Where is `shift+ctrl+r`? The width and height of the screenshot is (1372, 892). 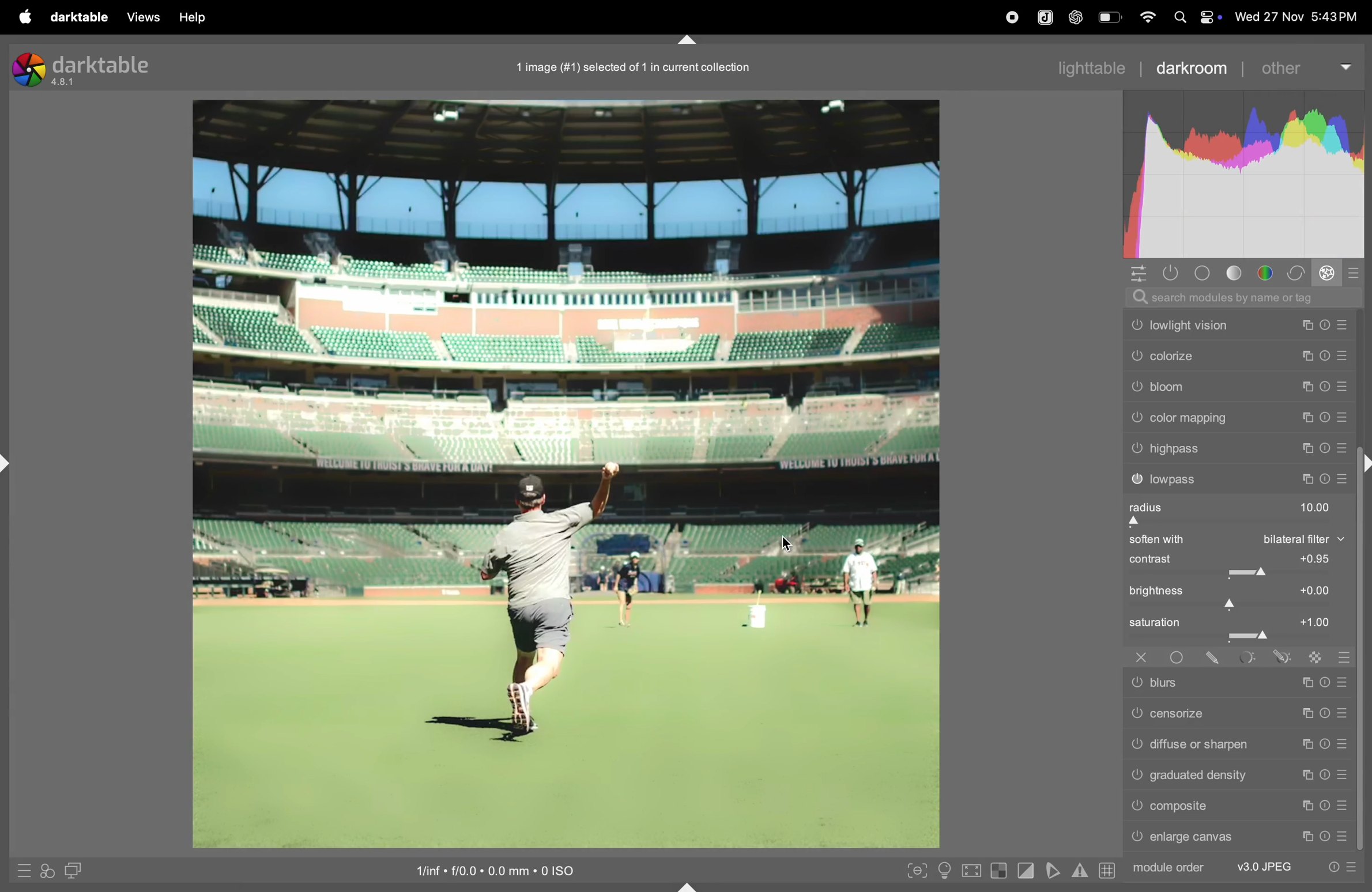
shift+ctrl+r is located at coordinates (1363, 466).